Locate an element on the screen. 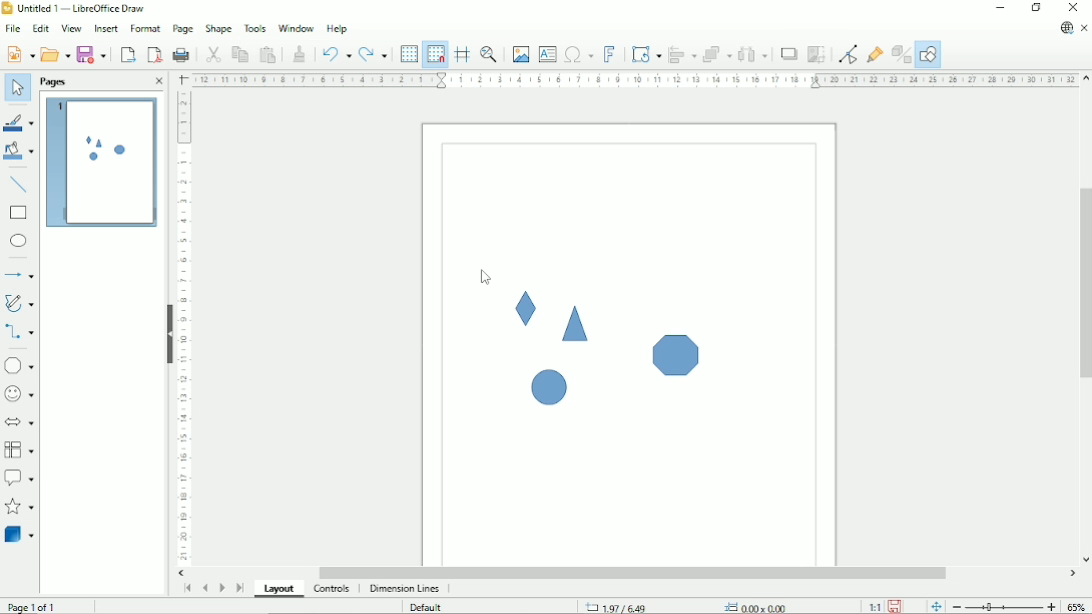 The width and height of the screenshot is (1092, 614). Undo is located at coordinates (336, 55).